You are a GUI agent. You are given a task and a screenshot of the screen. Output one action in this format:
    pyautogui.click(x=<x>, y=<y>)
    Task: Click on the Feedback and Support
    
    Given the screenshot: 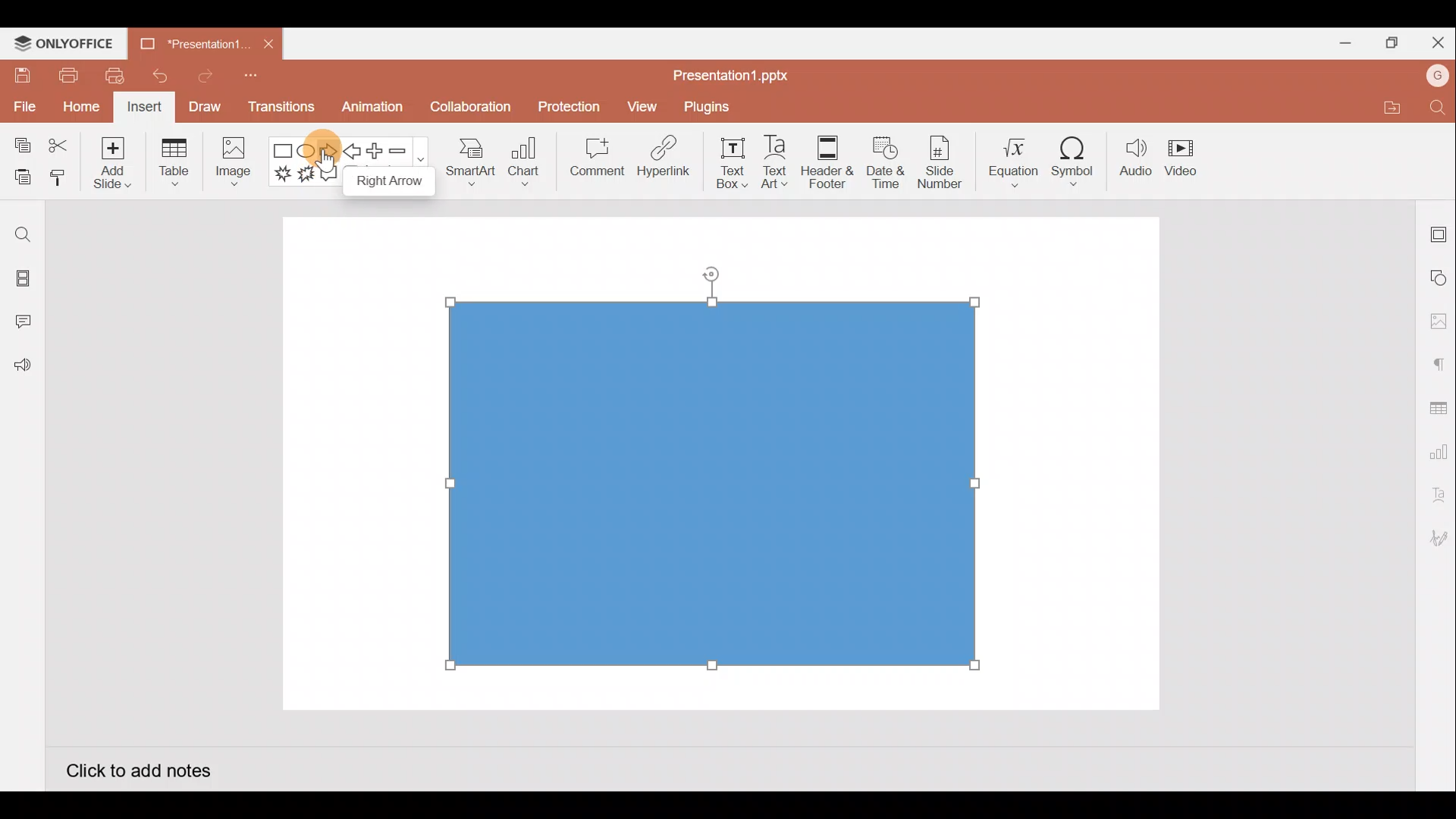 What is the action you would take?
    pyautogui.click(x=22, y=369)
    